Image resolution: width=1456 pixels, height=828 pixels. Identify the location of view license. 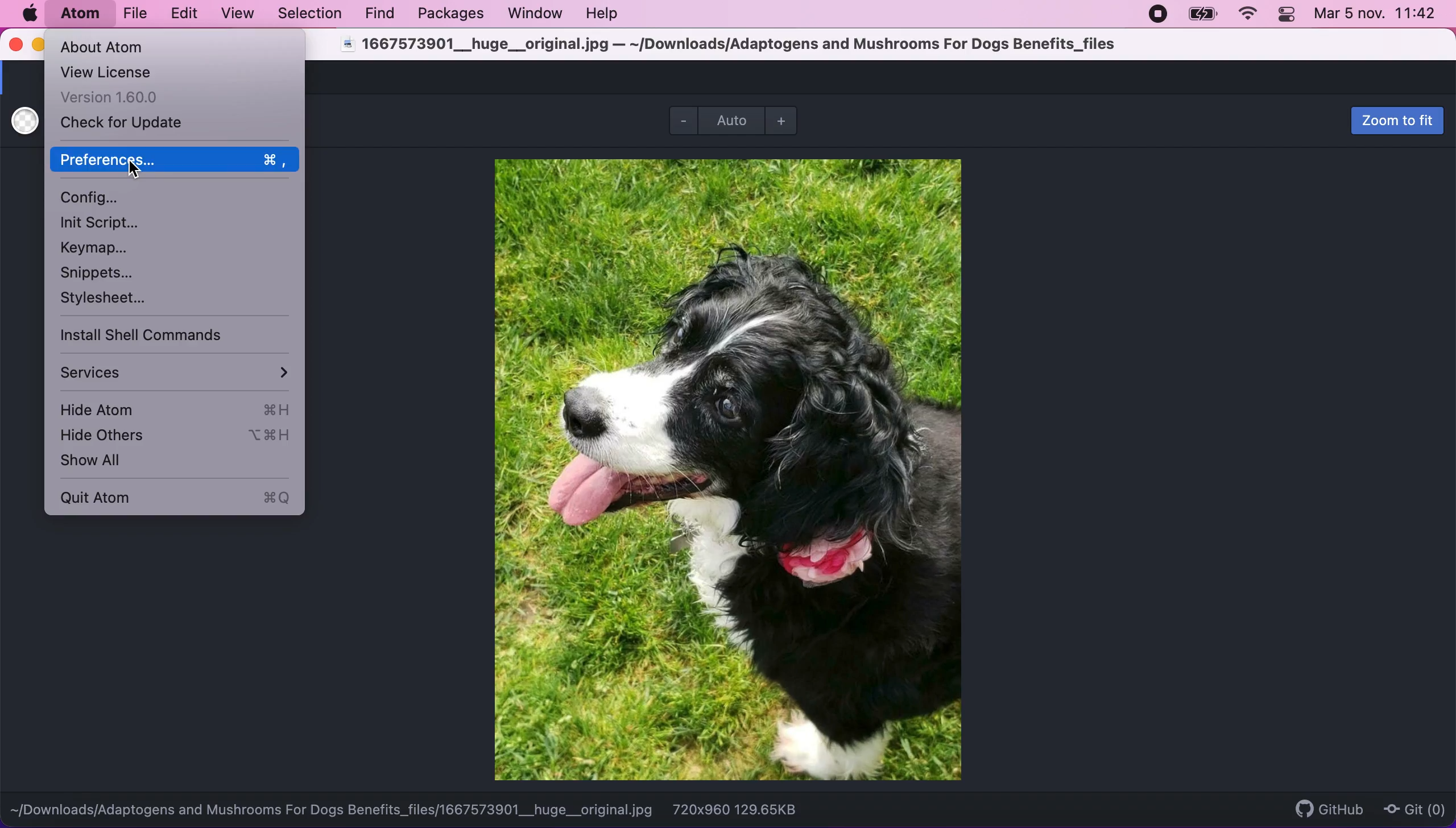
(138, 73).